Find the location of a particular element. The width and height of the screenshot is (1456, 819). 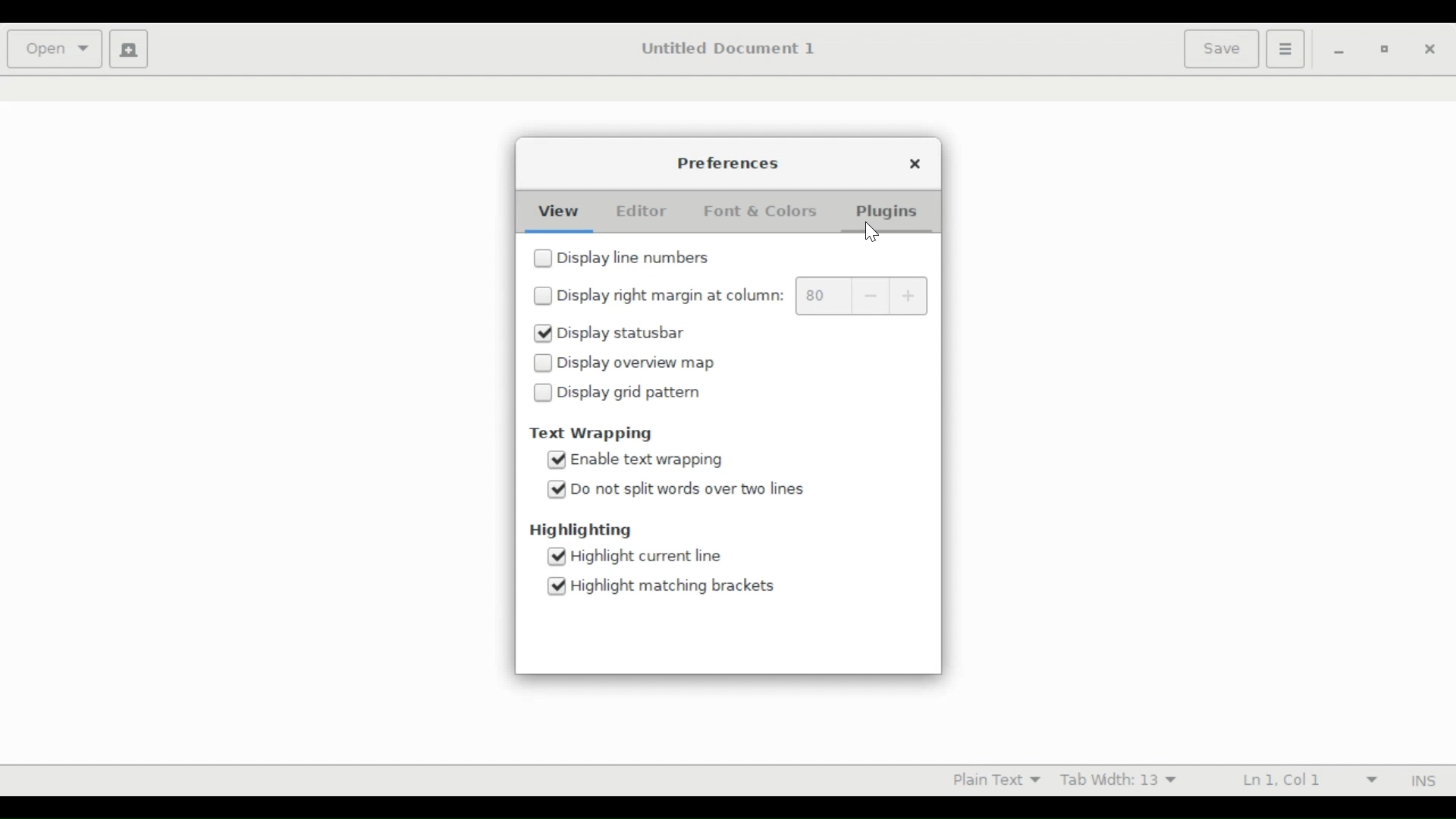

Text Wrapping is located at coordinates (595, 434).